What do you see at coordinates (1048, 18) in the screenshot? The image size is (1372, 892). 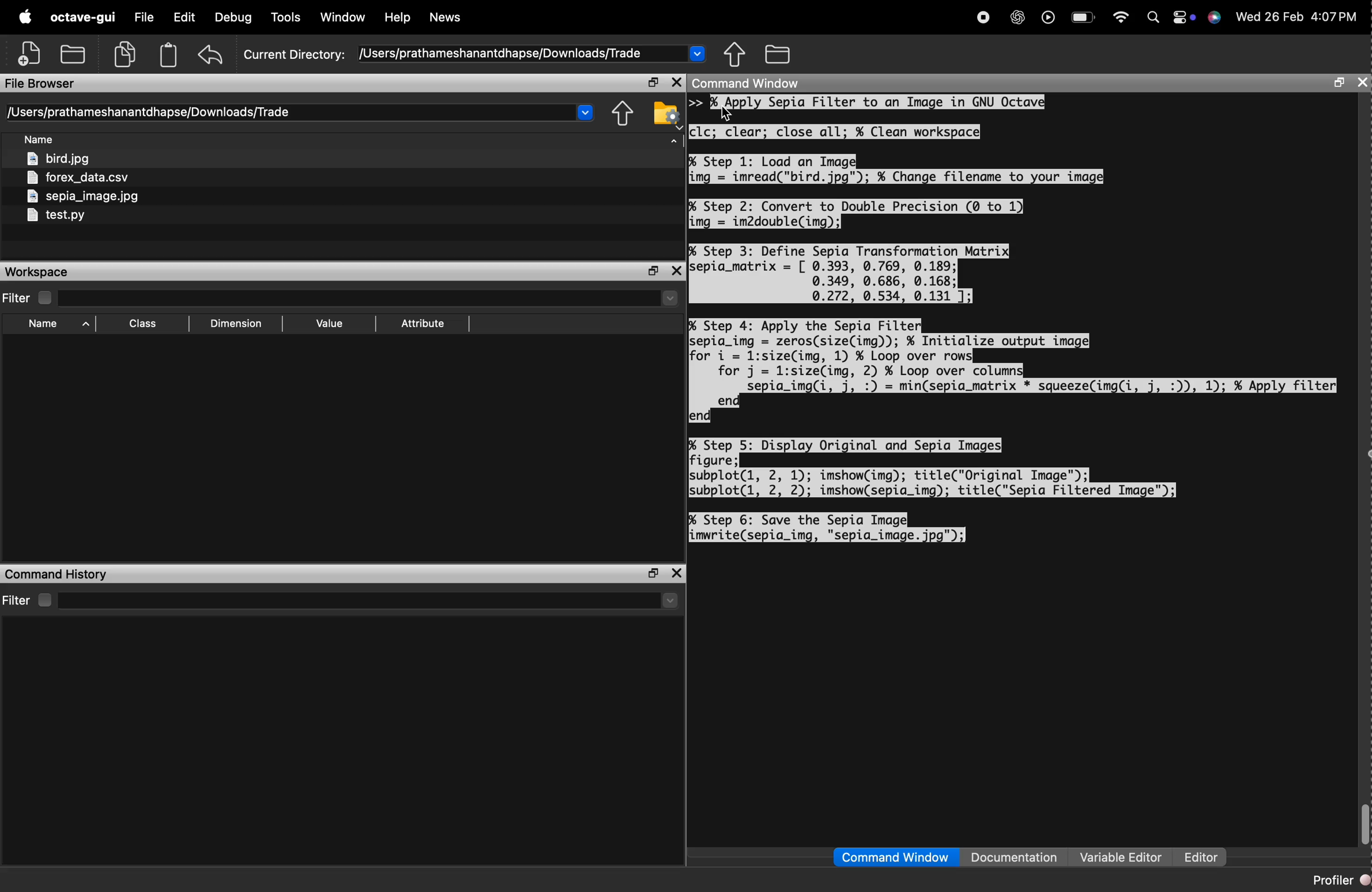 I see `play` at bounding box center [1048, 18].